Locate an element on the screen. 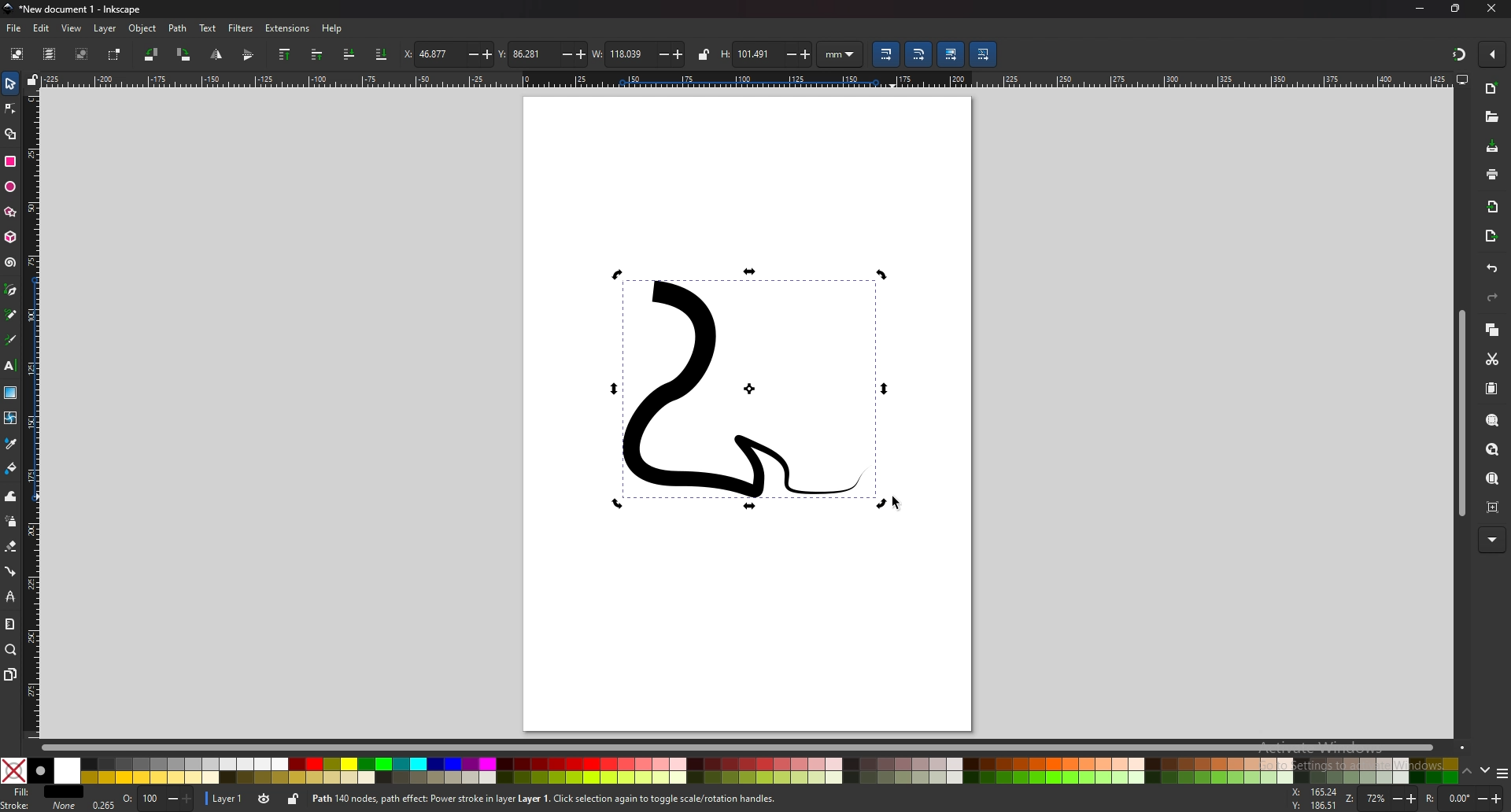  snapping is located at coordinates (1457, 54).